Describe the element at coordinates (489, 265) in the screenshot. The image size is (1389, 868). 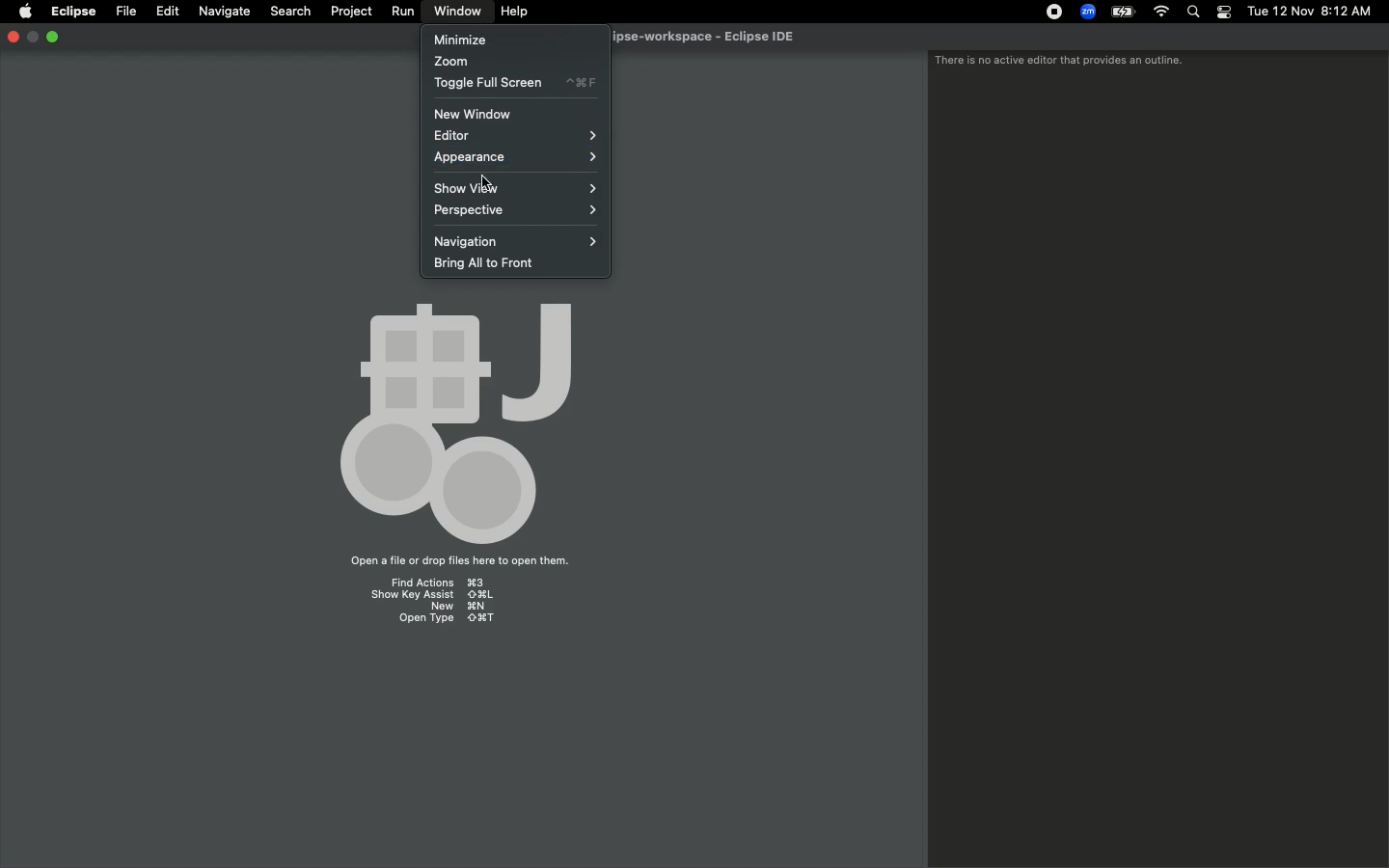
I see `Bring all to front` at that location.